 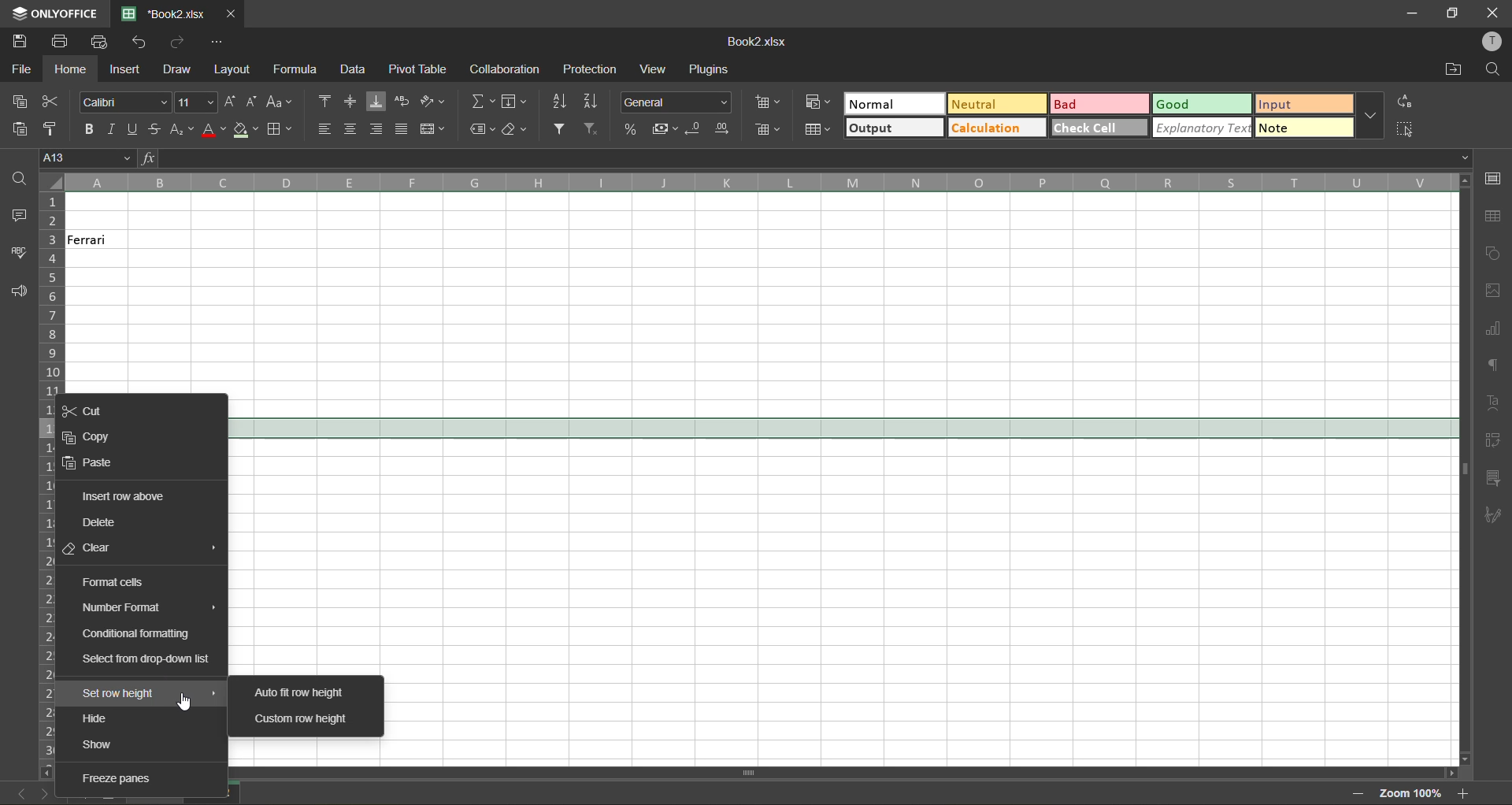 What do you see at coordinates (55, 126) in the screenshot?
I see `copy style` at bounding box center [55, 126].